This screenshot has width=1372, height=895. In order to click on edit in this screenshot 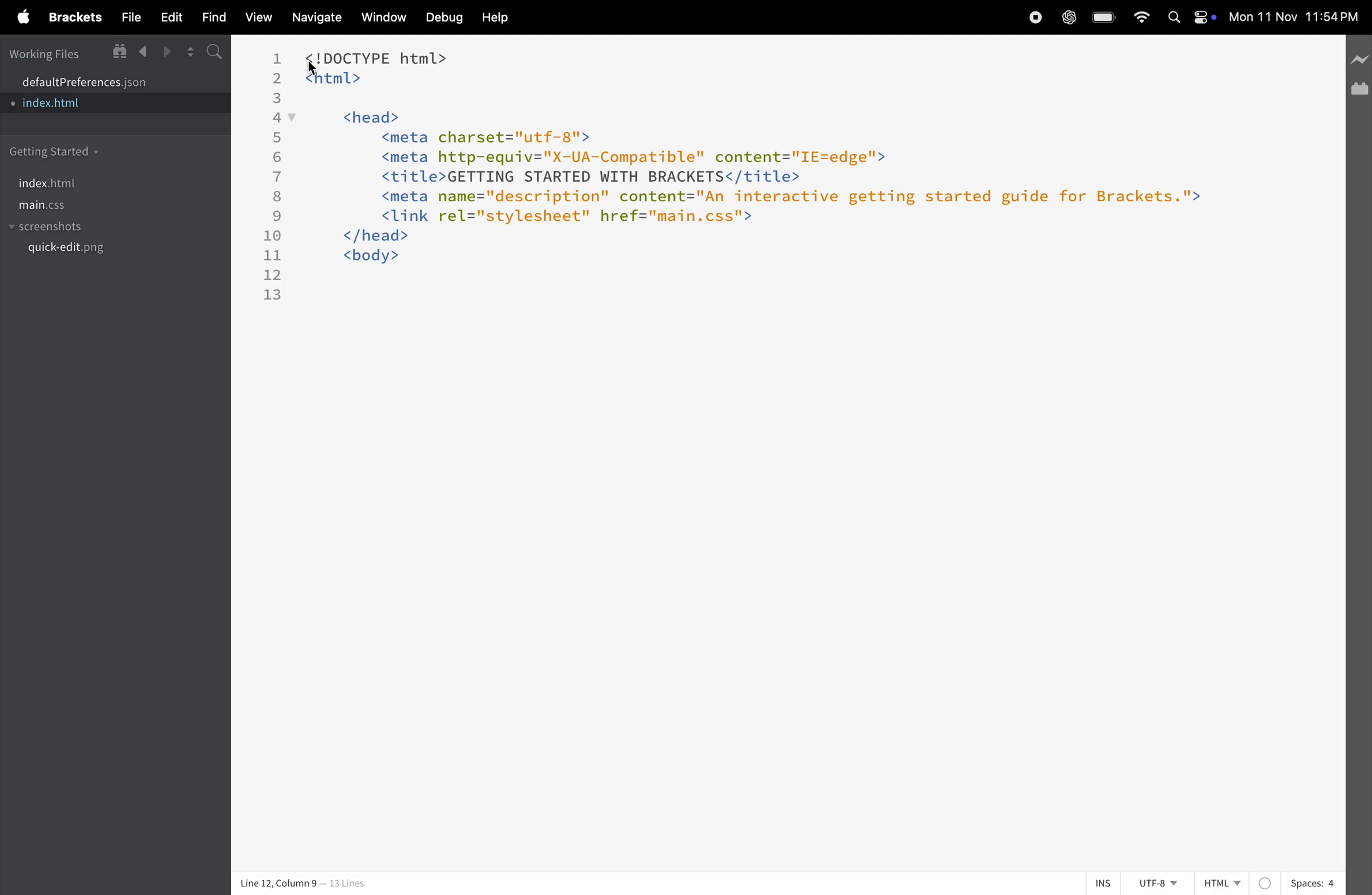, I will do `click(174, 17)`.